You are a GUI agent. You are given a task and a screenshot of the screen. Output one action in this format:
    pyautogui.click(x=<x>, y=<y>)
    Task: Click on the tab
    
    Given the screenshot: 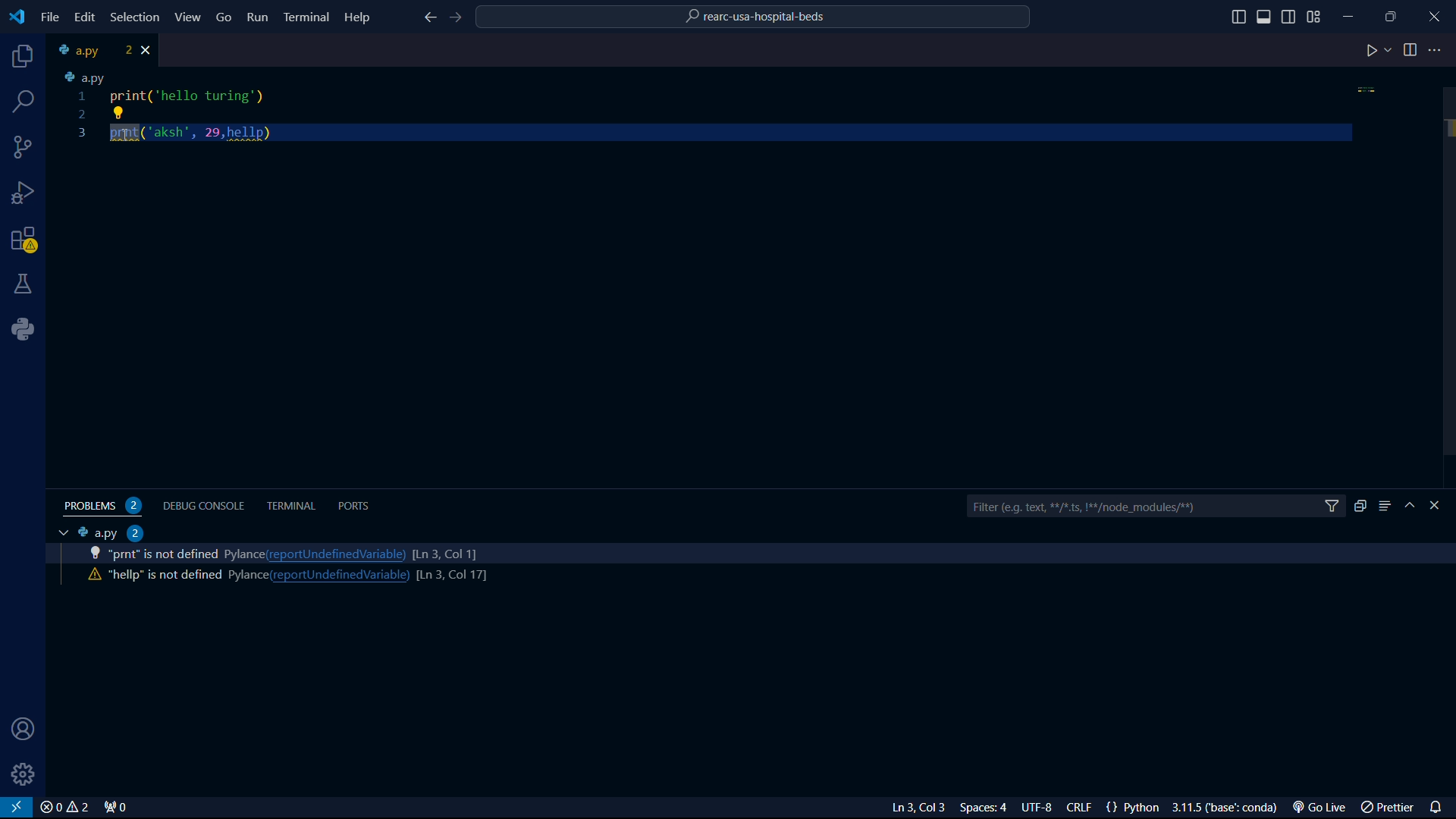 What is the action you would take?
    pyautogui.click(x=59, y=533)
    